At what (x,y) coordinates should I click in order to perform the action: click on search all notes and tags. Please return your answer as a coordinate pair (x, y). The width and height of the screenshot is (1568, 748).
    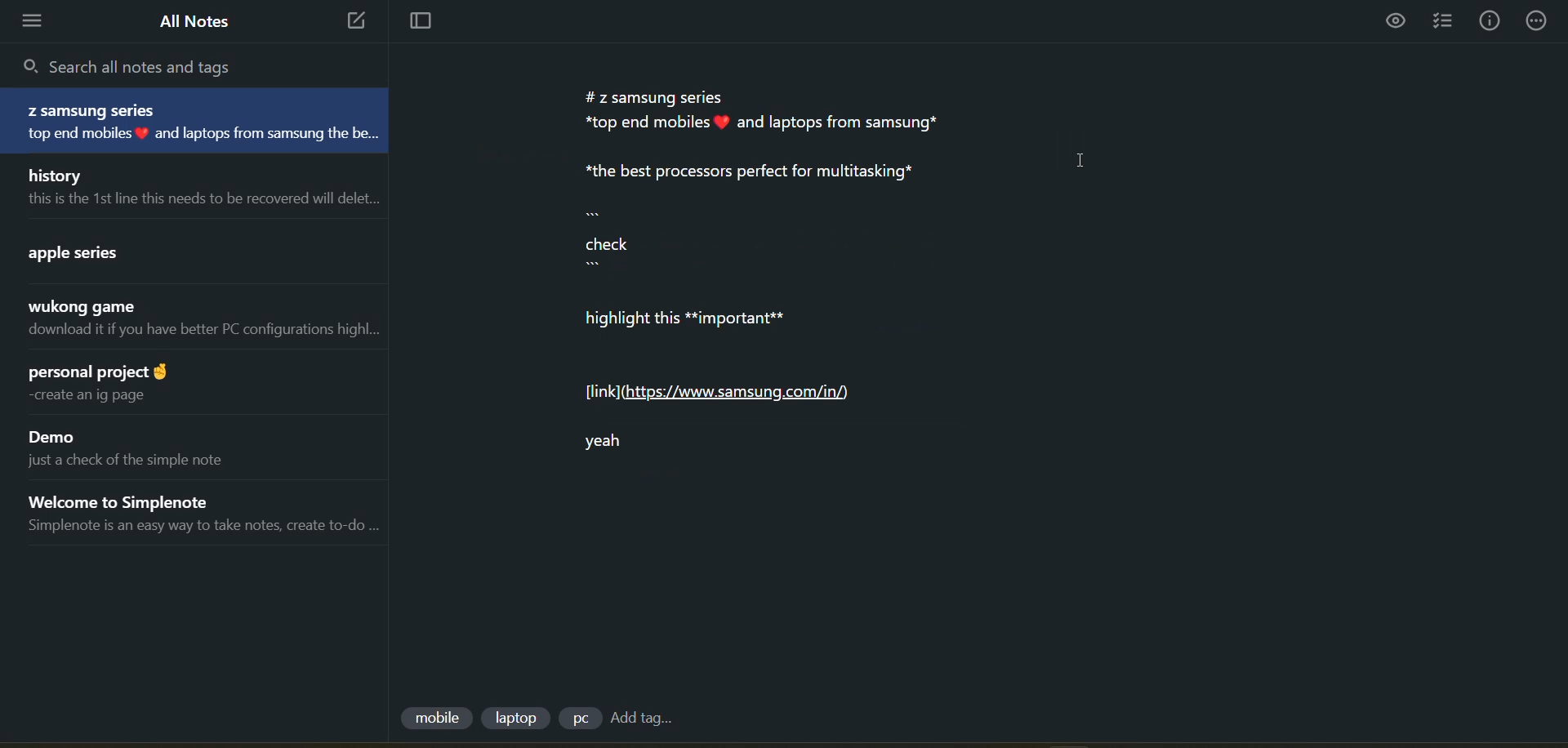
    Looking at the image, I should click on (139, 65).